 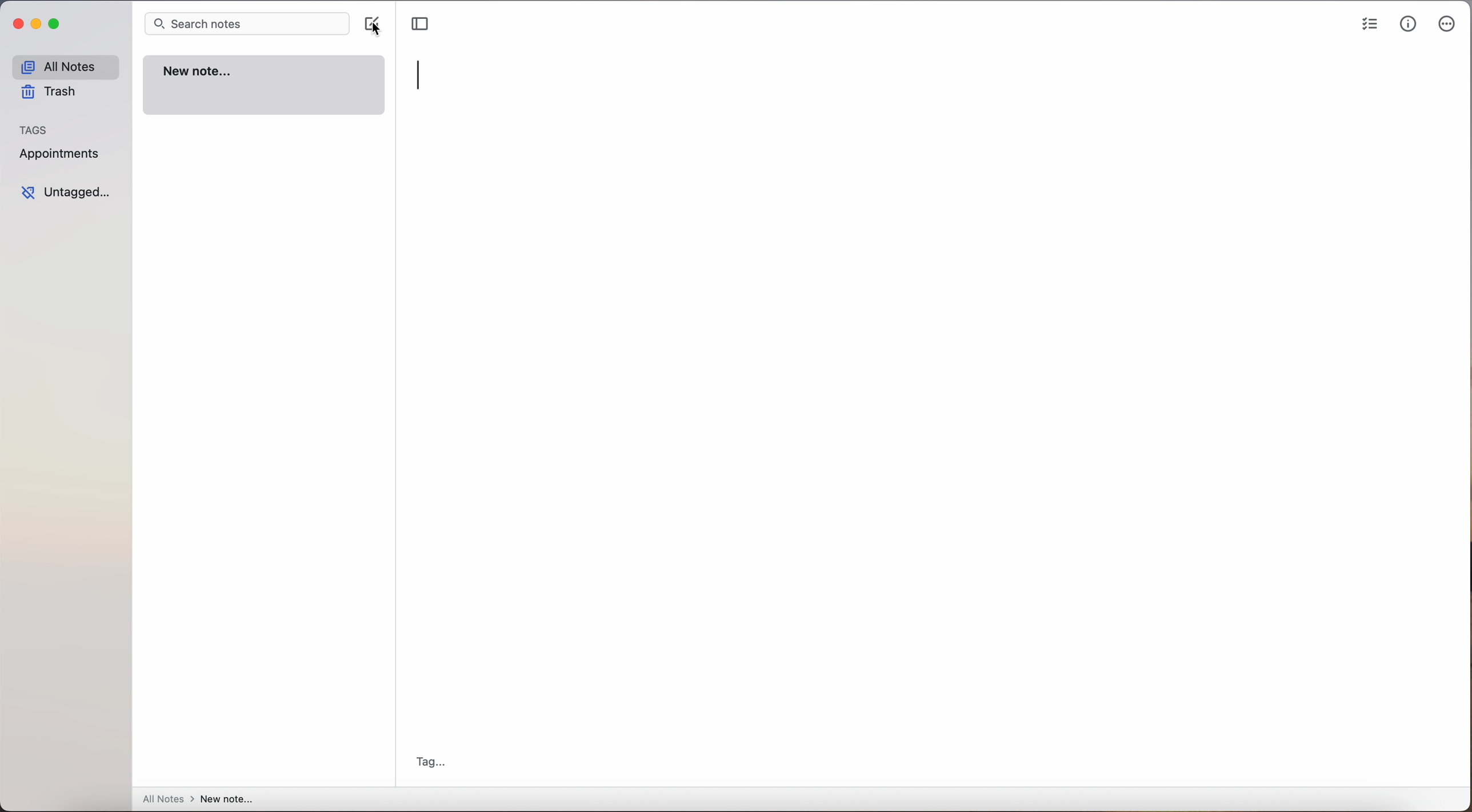 What do you see at coordinates (56, 23) in the screenshot?
I see `maximize app` at bounding box center [56, 23].